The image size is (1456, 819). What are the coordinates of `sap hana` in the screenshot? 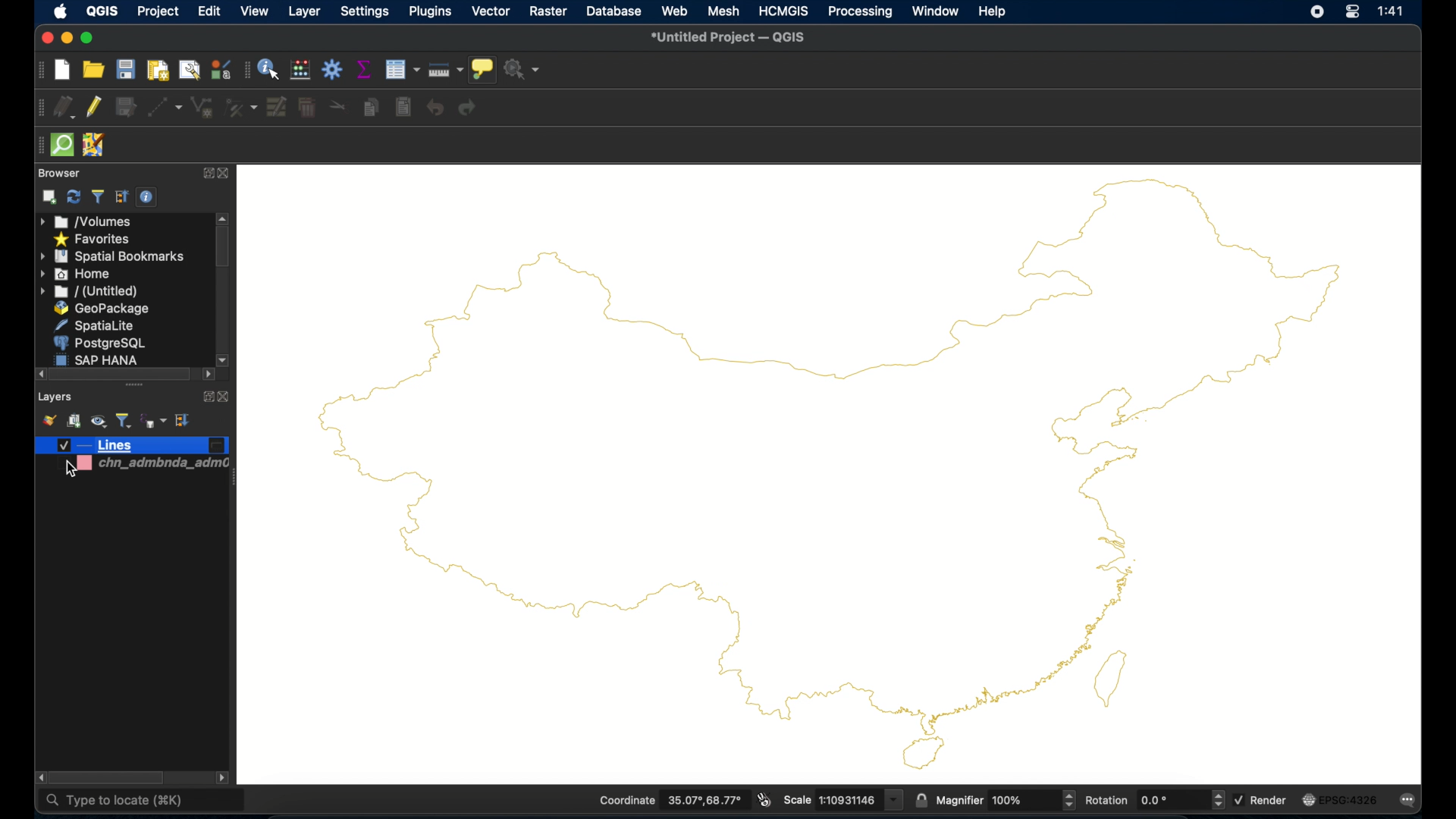 It's located at (98, 359).